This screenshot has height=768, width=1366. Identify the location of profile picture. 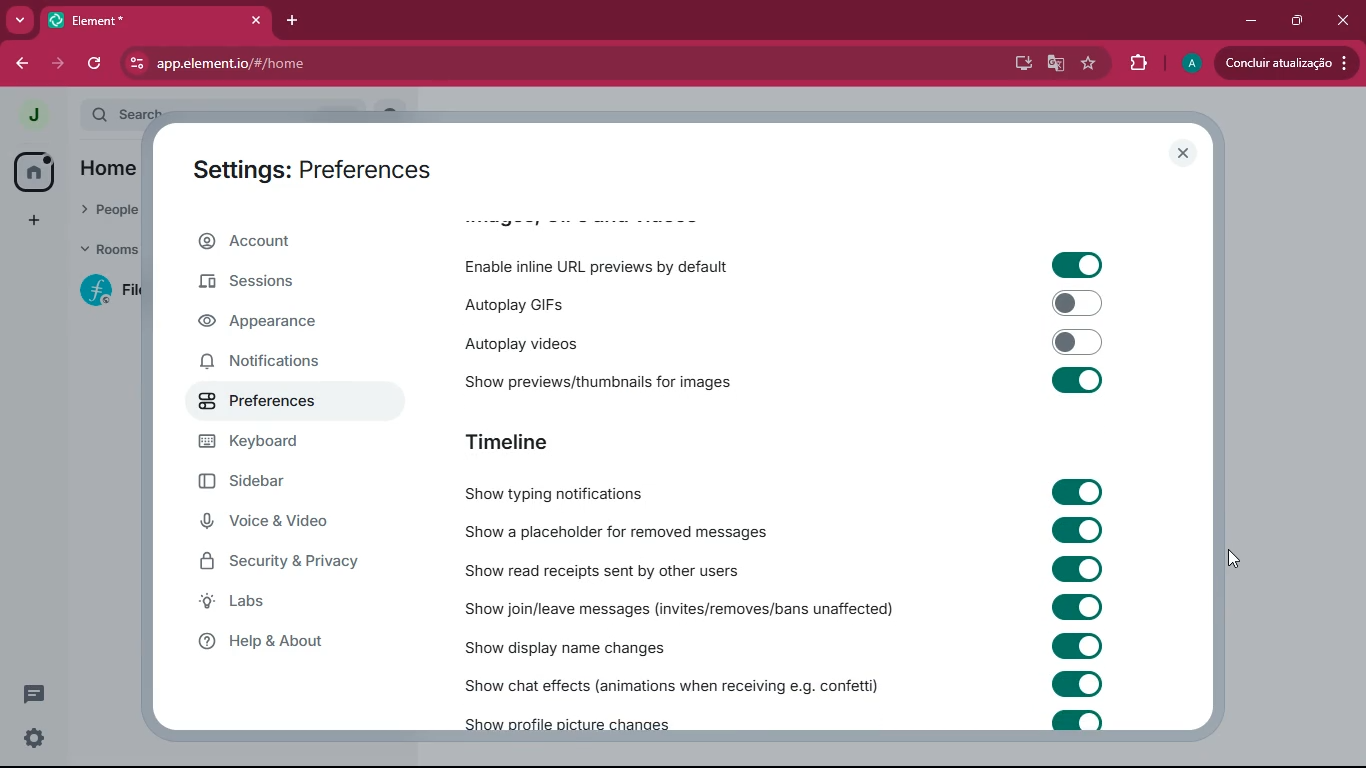
(29, 114).